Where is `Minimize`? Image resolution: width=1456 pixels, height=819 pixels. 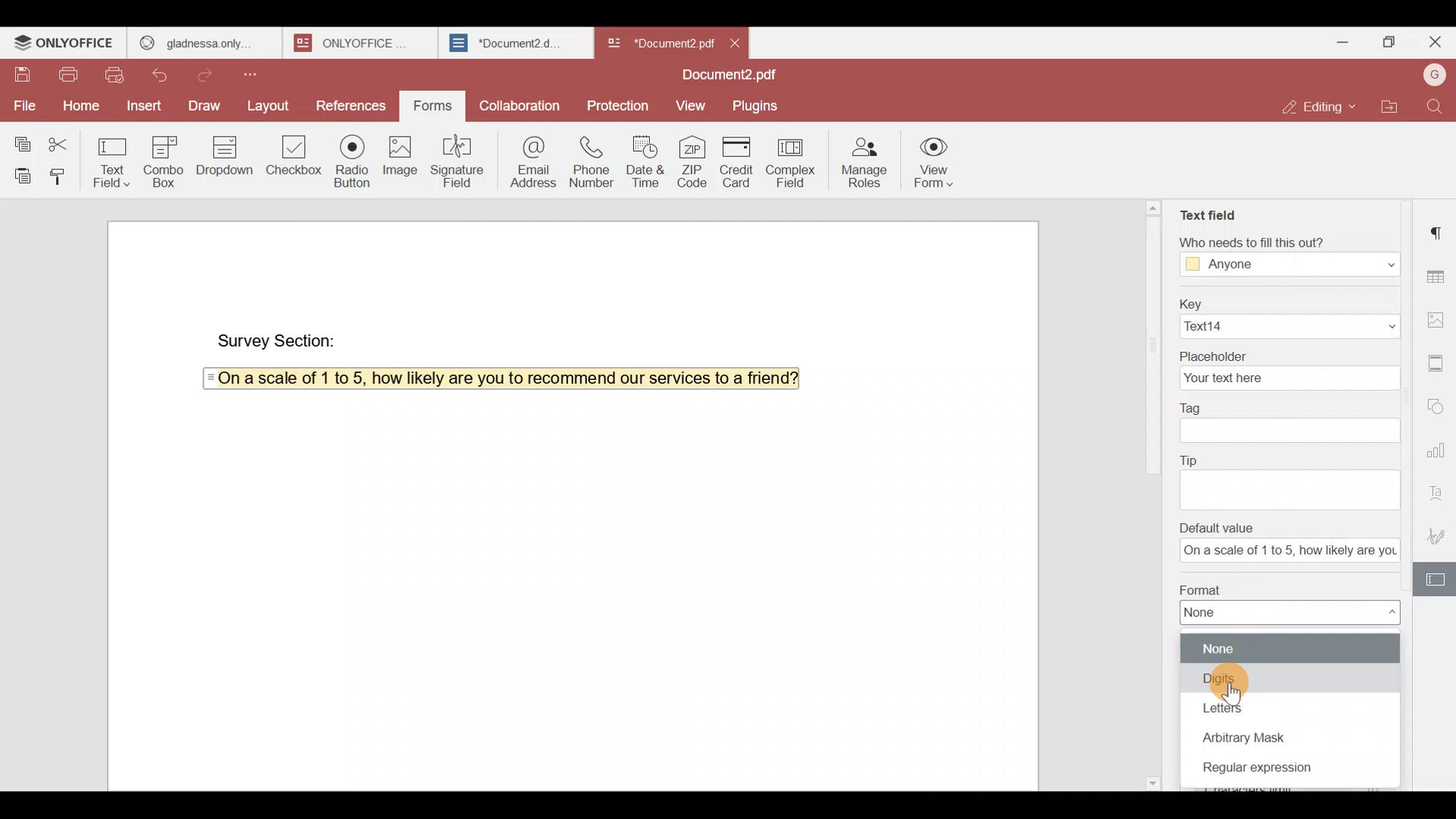
Minimize is located at coordinates (1348, 42).